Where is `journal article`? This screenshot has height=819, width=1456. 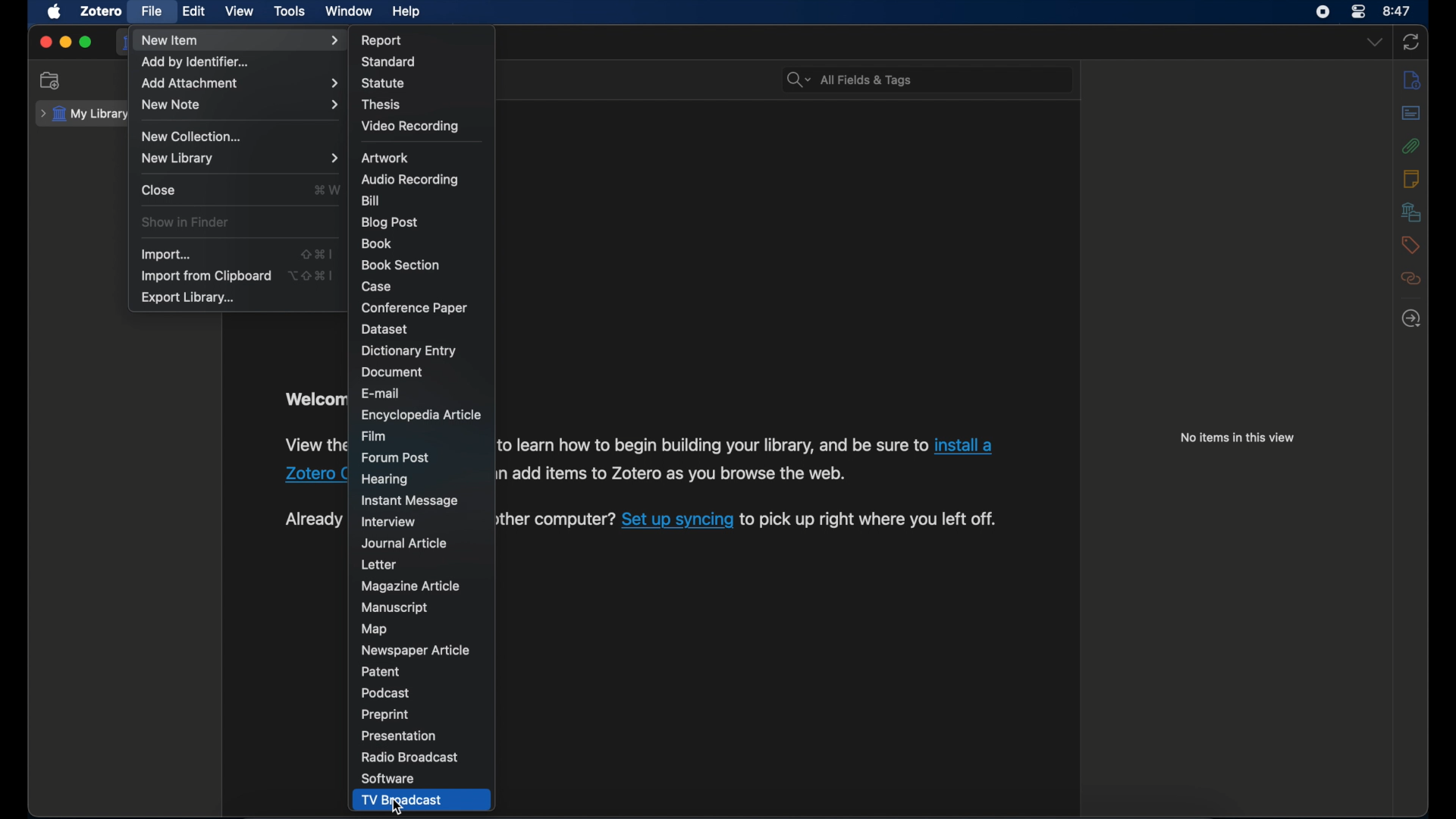 journal article is located at coordinates (404, 544).